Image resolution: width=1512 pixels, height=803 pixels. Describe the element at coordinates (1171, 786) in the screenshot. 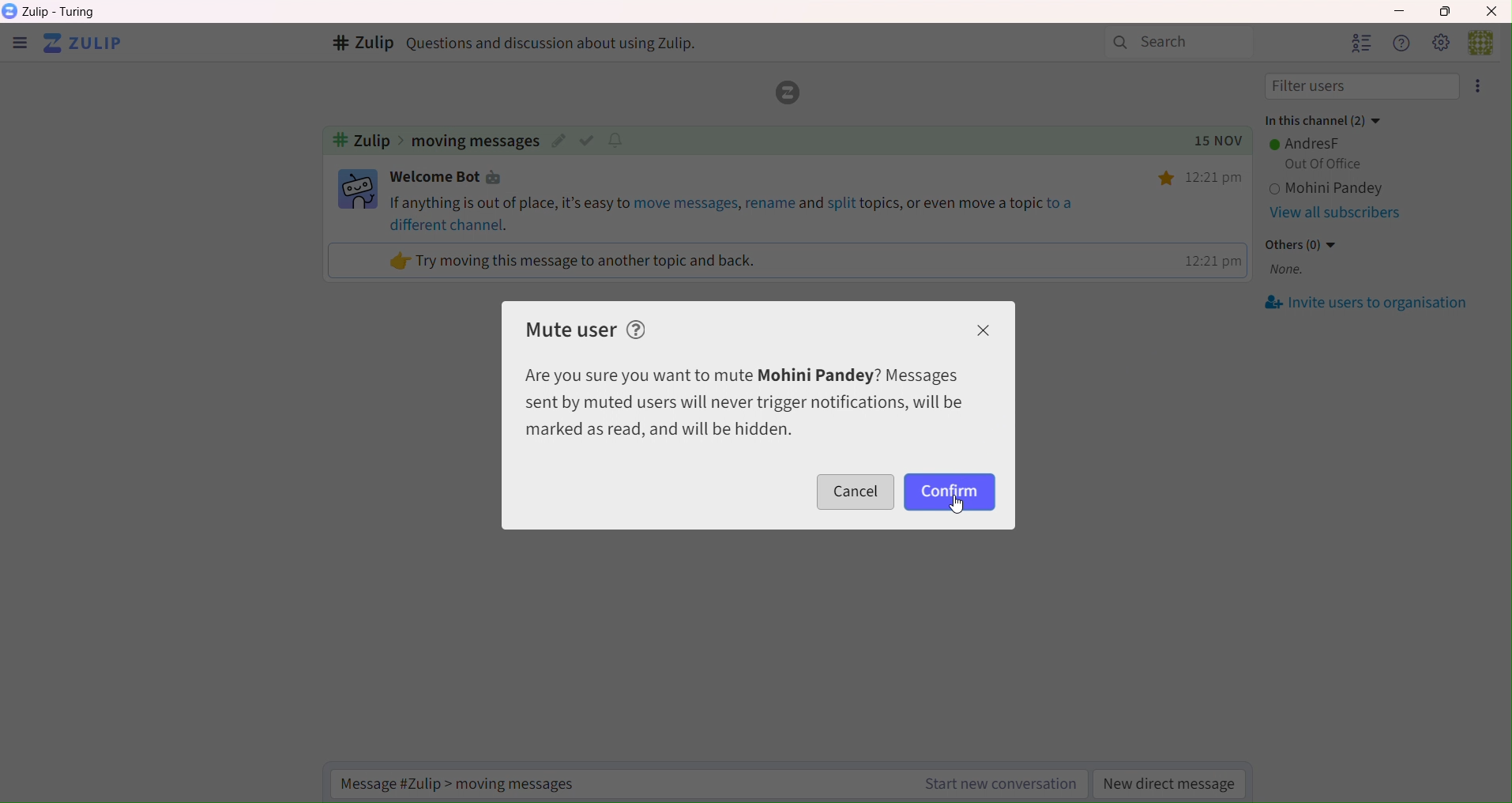

I see `New Direct Message` at that location.